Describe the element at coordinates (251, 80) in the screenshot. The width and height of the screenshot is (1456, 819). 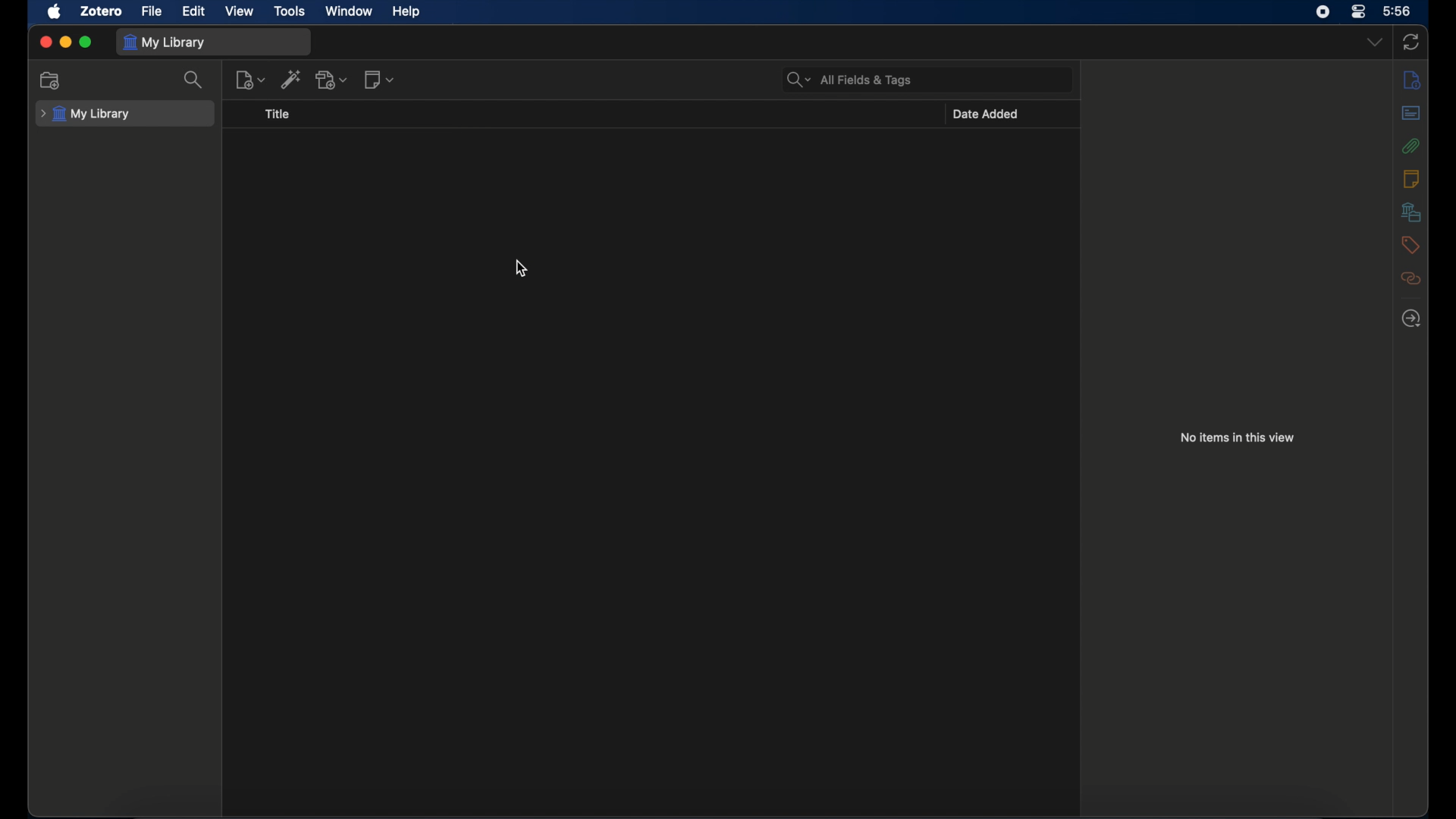
I see `new item` at that location.